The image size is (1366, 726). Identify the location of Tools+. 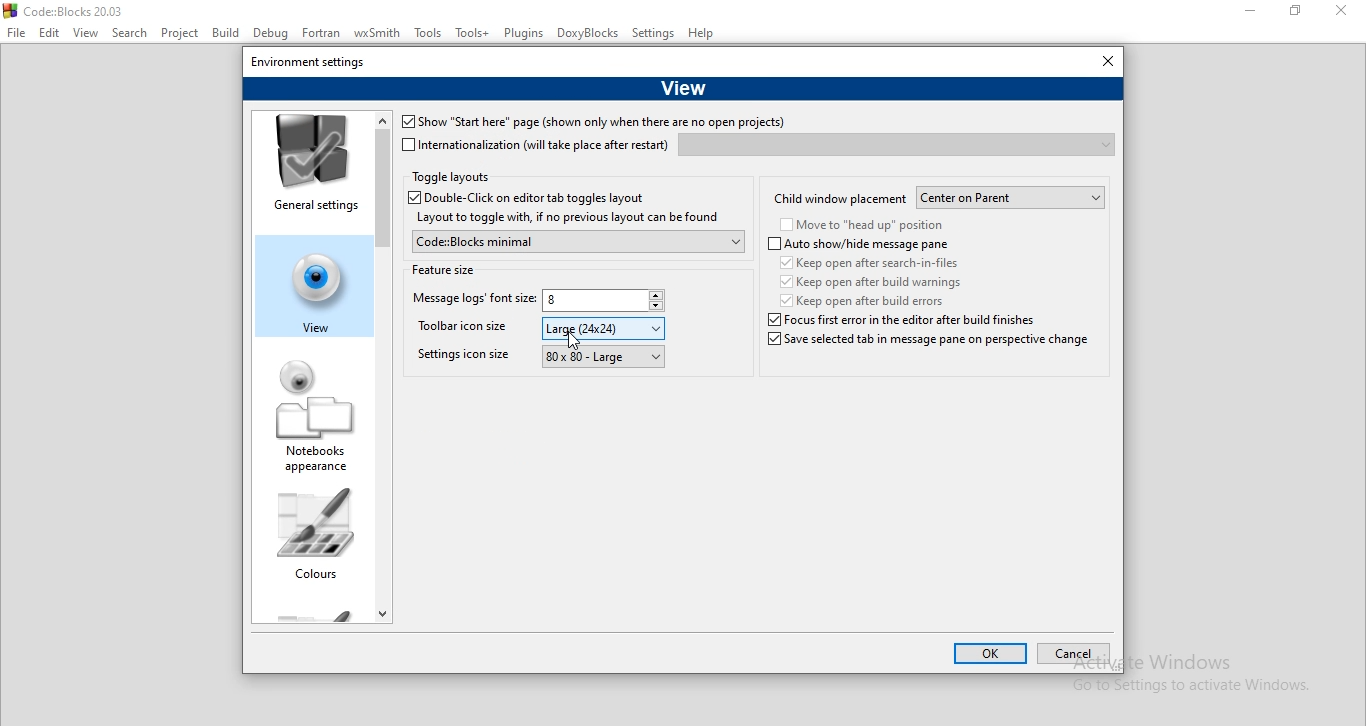
(473, 34).